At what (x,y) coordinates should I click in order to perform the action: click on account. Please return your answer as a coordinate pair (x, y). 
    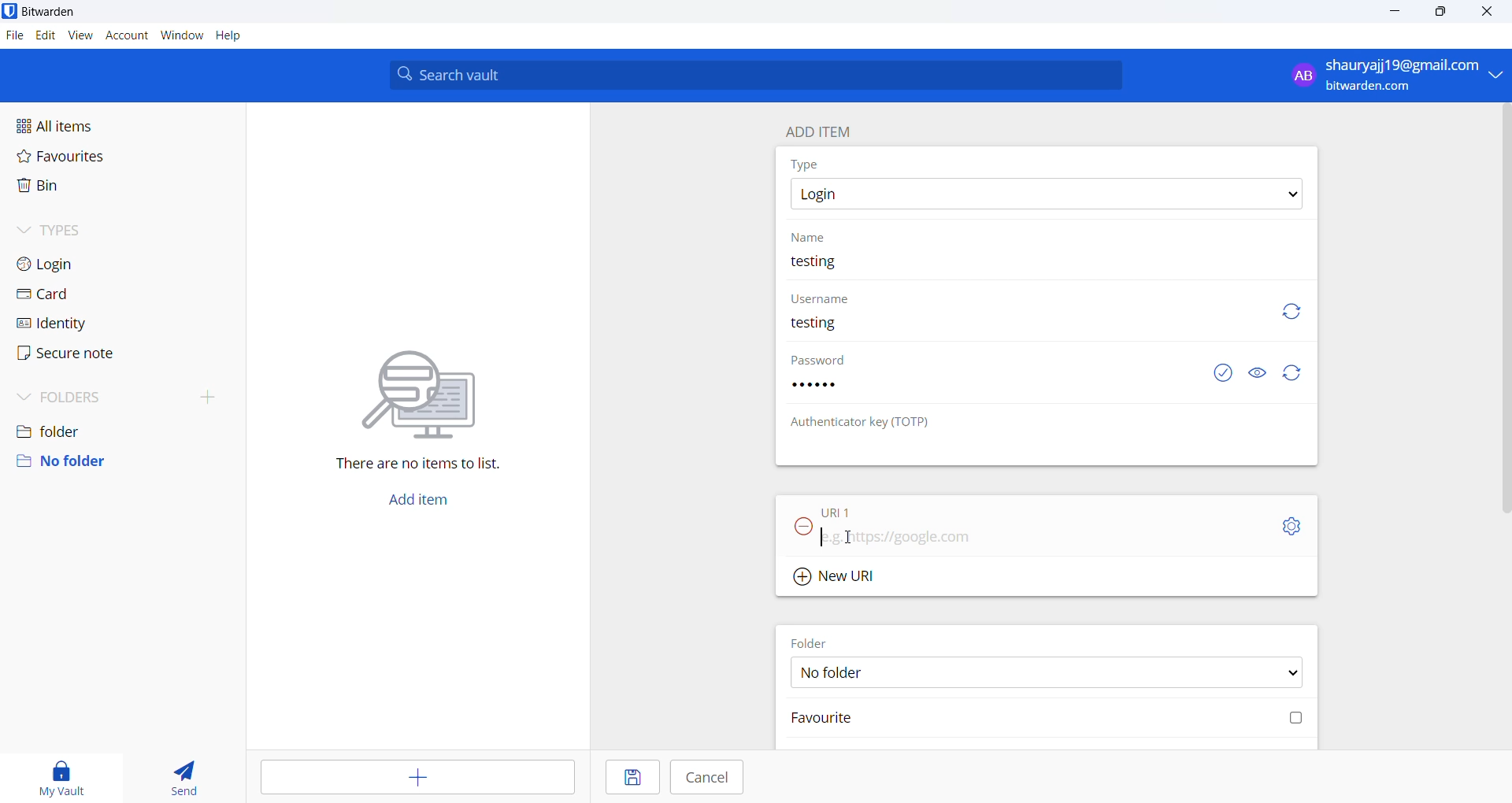
    Looking at the image, I should click on (125, 36).